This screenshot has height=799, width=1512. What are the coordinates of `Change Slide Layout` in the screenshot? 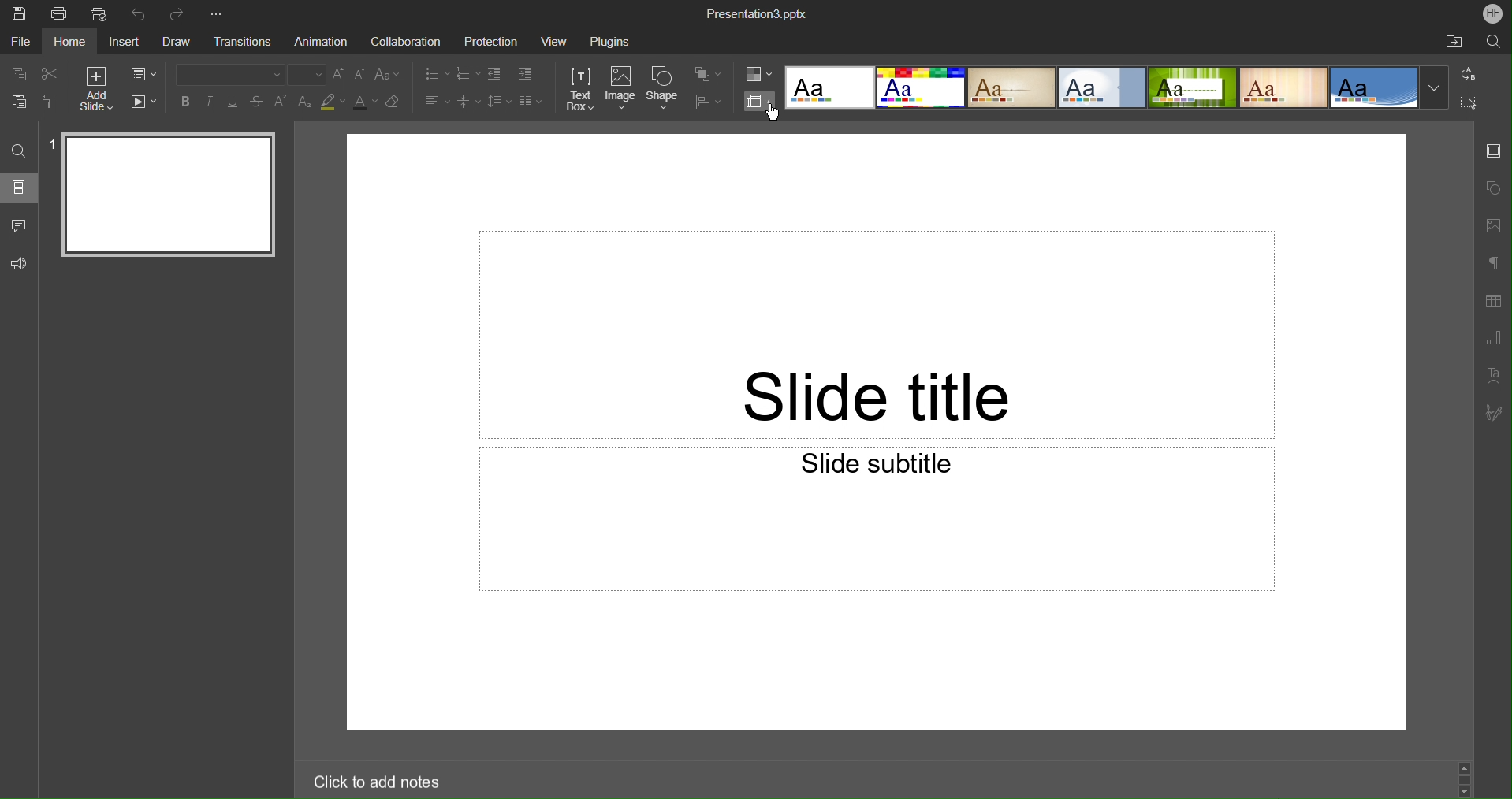 It's located at (145, 74).